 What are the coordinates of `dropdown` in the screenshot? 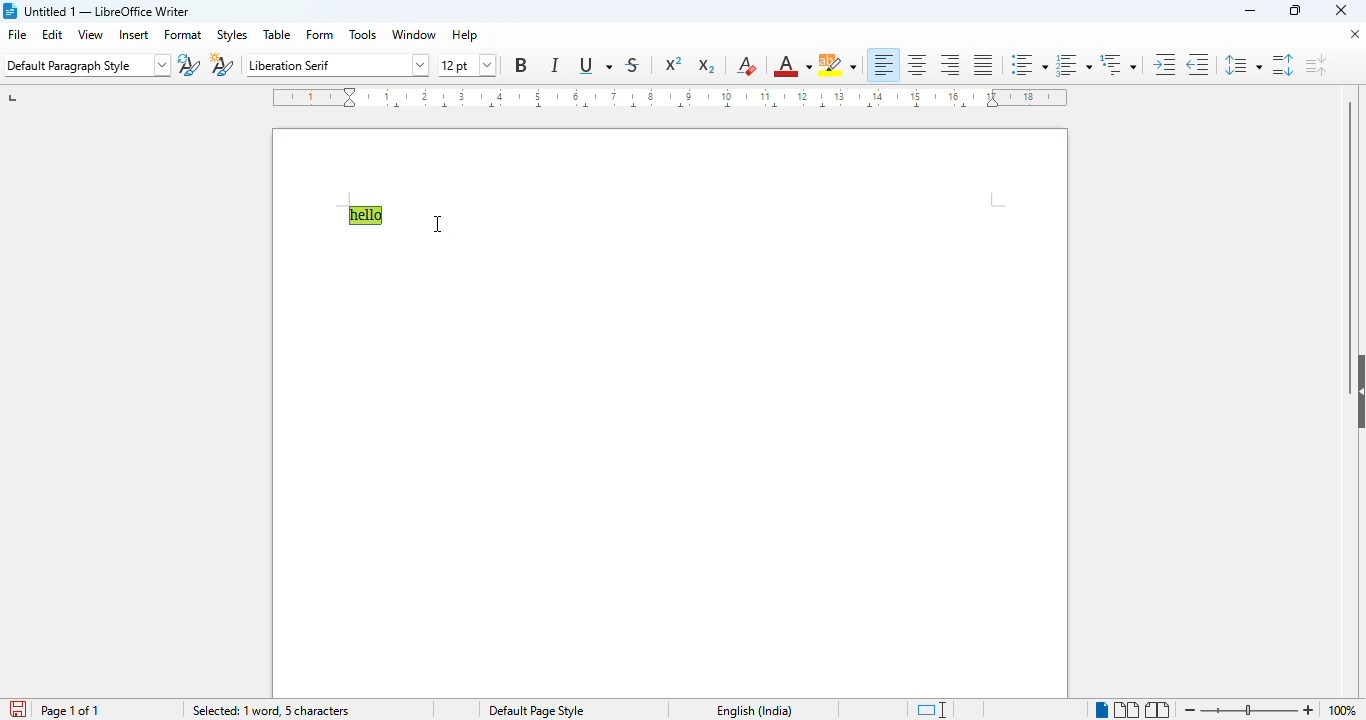 It's located at (489, 65).